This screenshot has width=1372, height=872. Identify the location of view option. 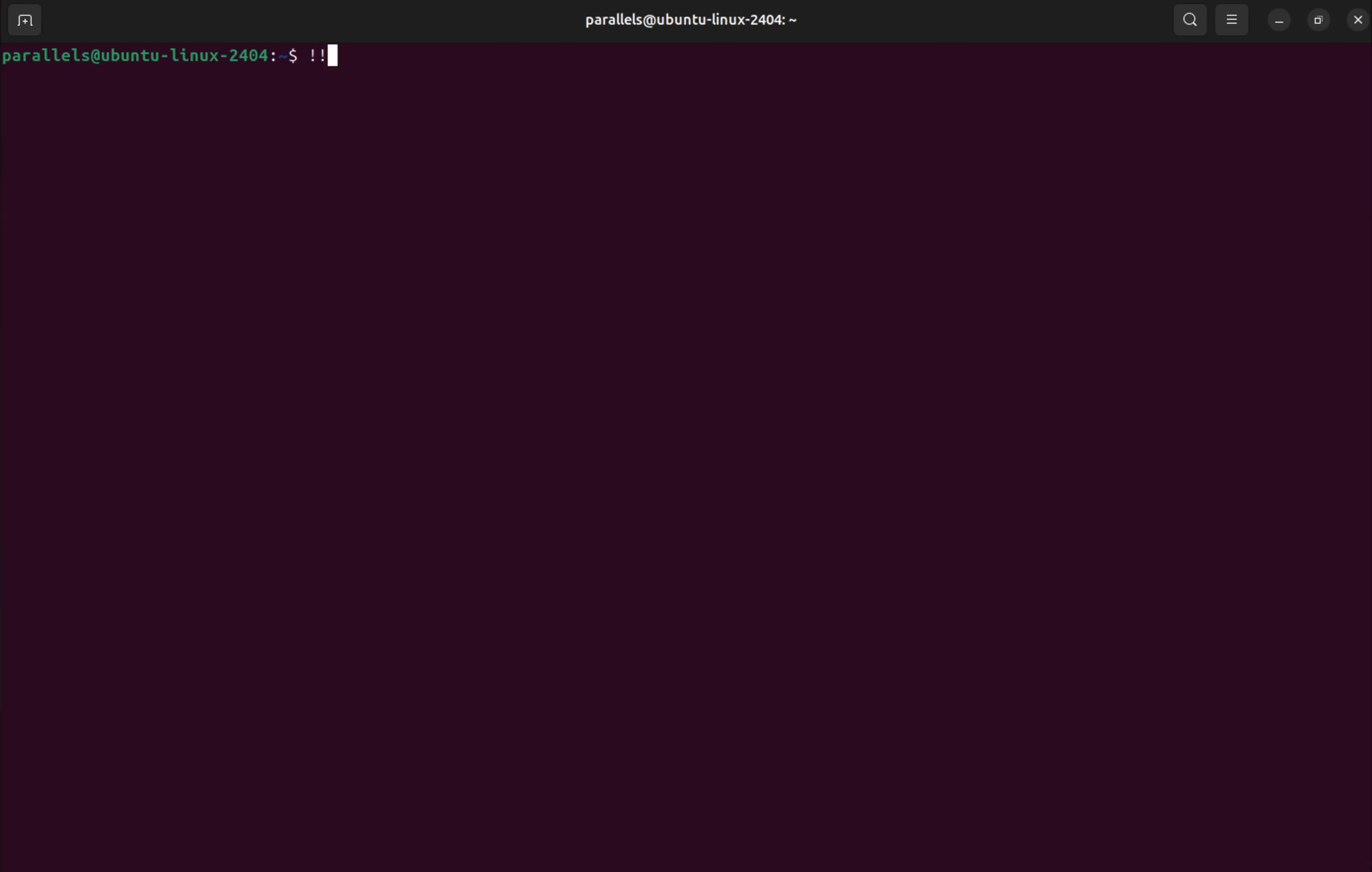
(1234, 21).